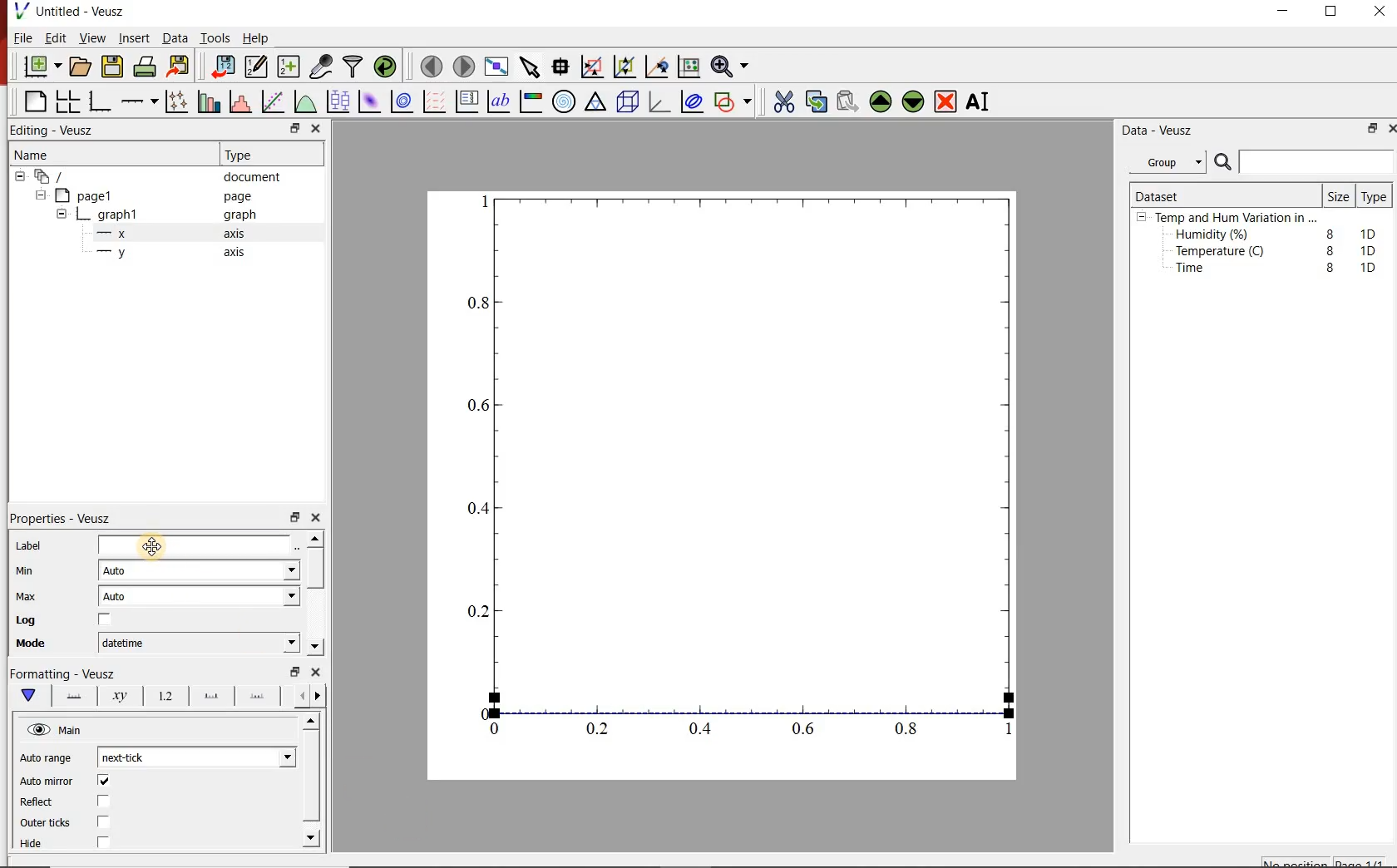  What do you see at coordinates (243, 101) in the screenshot?
I see `histogram of a dataset` at bounding box center [243, 101].